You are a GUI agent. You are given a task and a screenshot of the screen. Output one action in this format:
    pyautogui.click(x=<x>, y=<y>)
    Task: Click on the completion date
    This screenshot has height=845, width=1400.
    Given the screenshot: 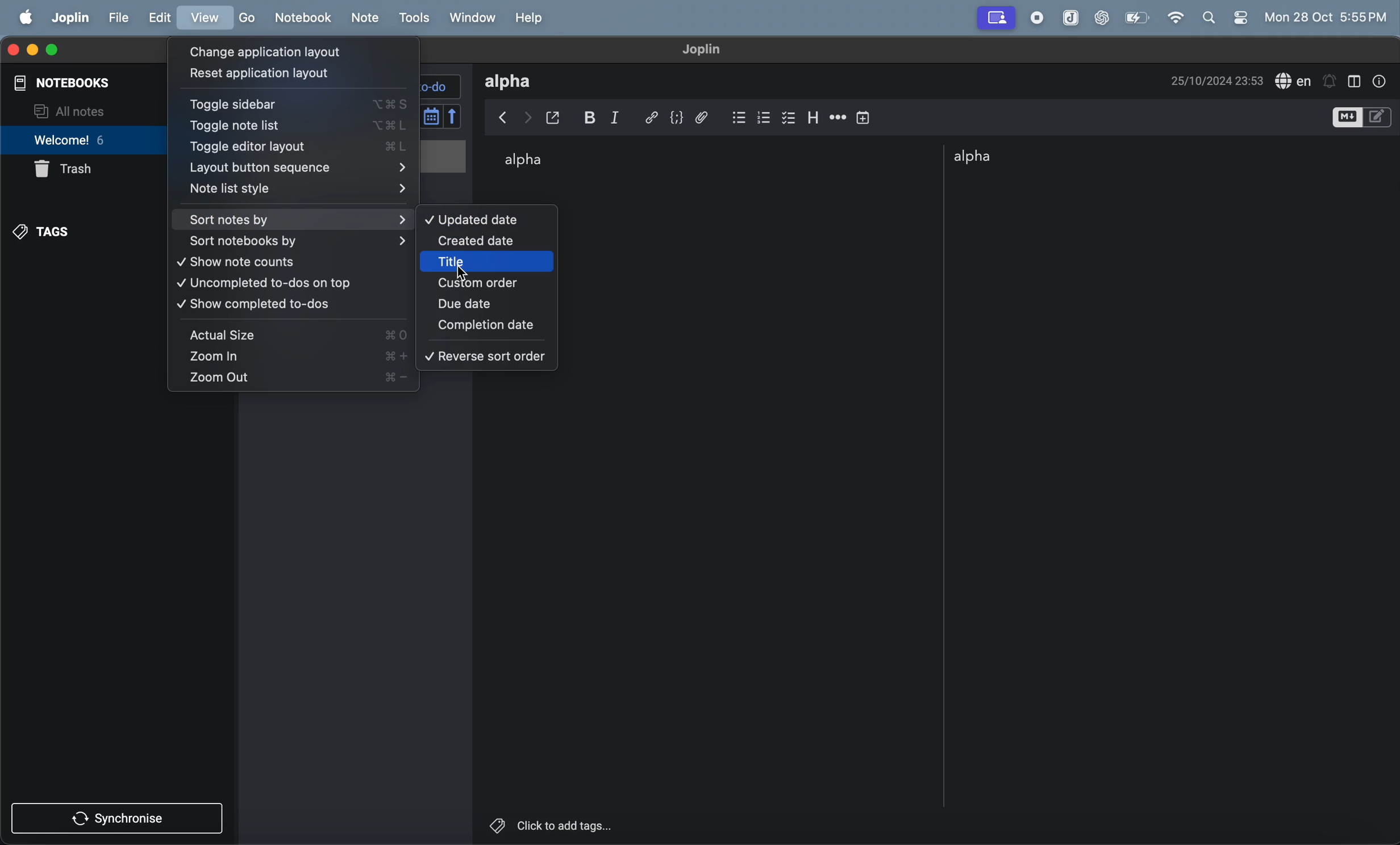 What is the action you would take?
    pyautogui.click(x=487, y=325)
    